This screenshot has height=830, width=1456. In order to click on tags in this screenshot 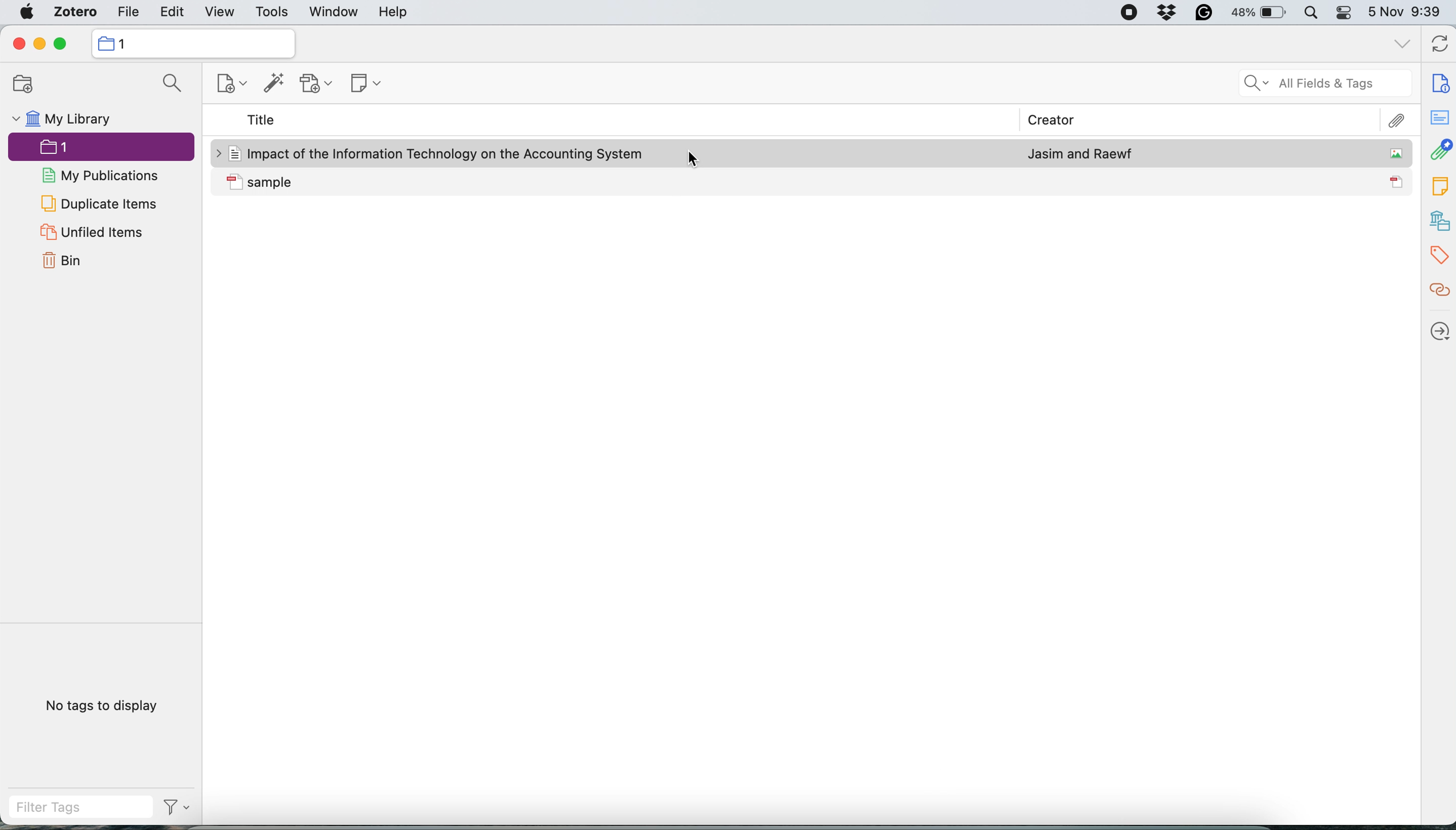, I will do `click(1439, 254)`.